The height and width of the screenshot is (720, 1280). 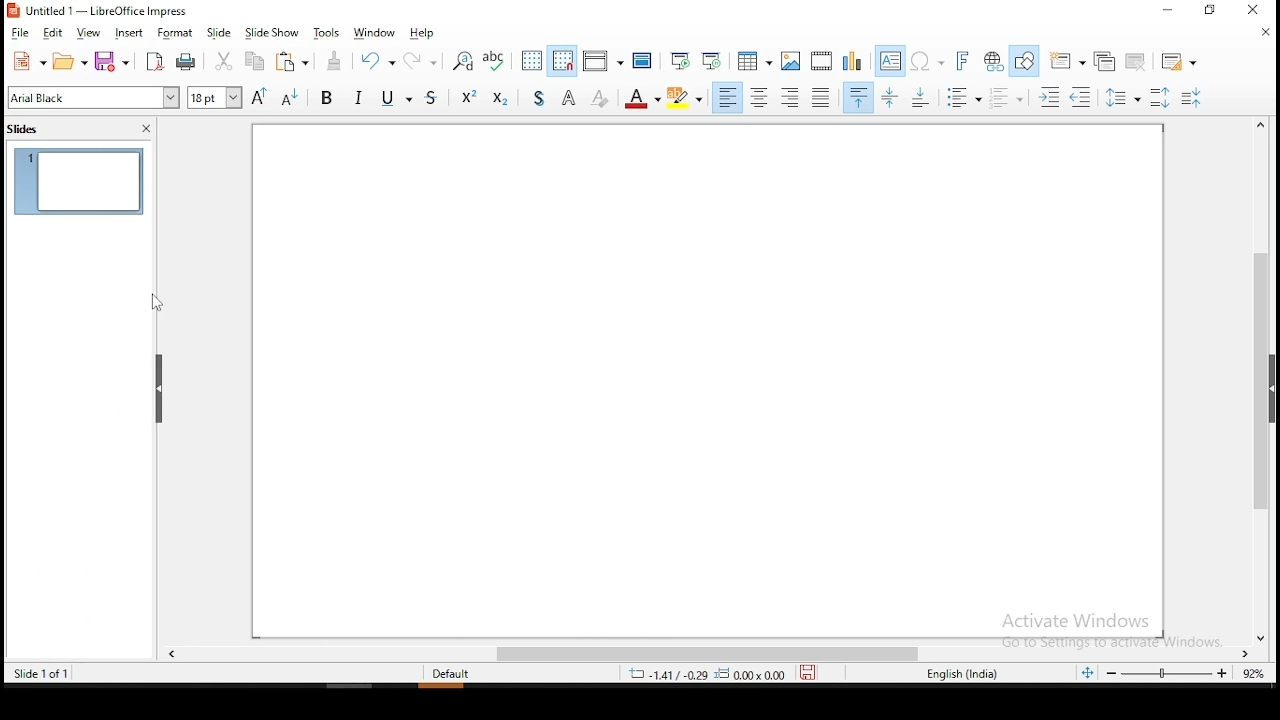 What do you see at coordinates (727, 98) in the screenshot?
I see `align left` at bounding box center [727, 98].